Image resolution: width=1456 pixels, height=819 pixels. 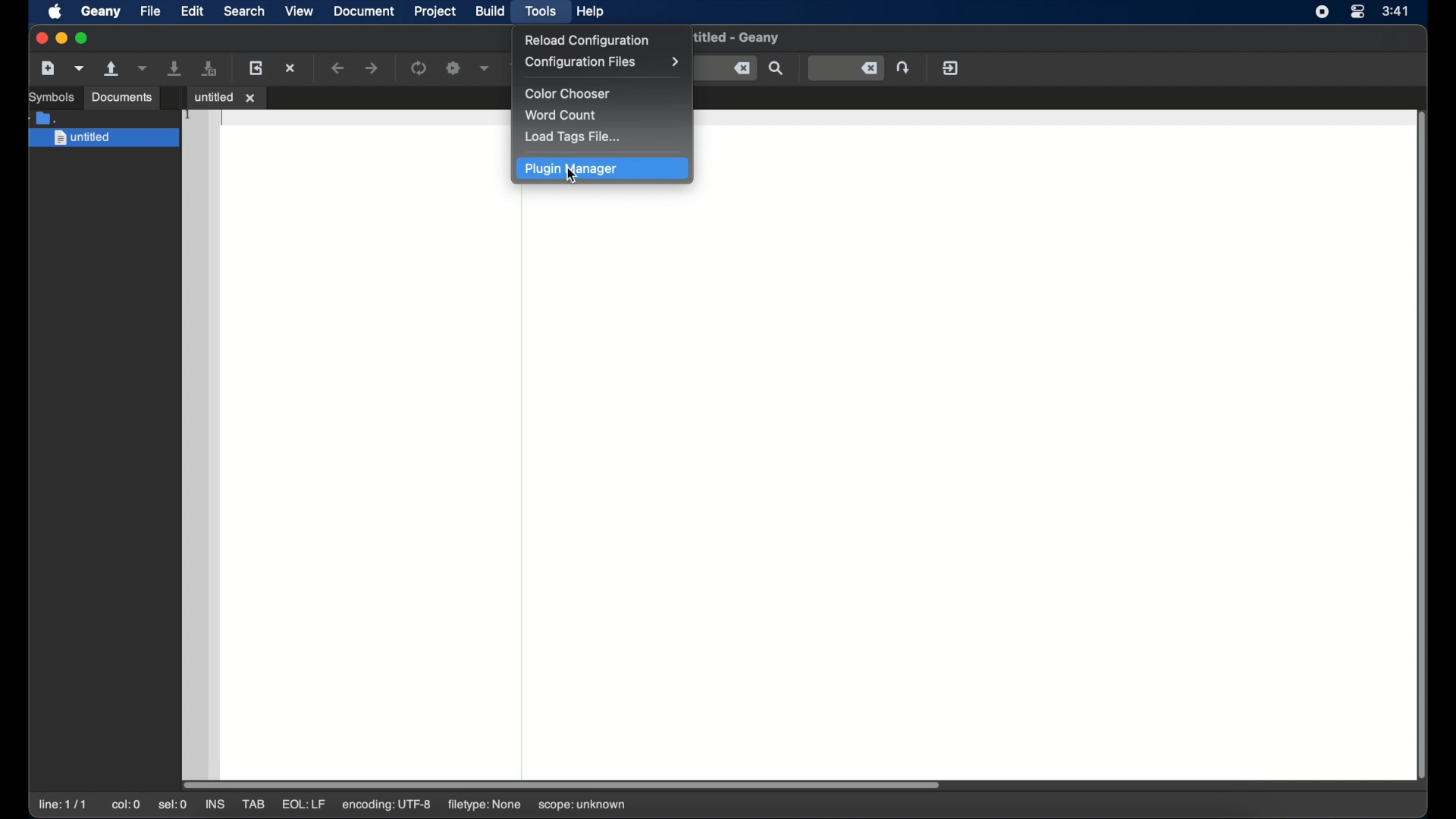 What do you see at coordinates (419, 67) in the screenshot?
I see `compile the current file` at bounding box center [419, 67].